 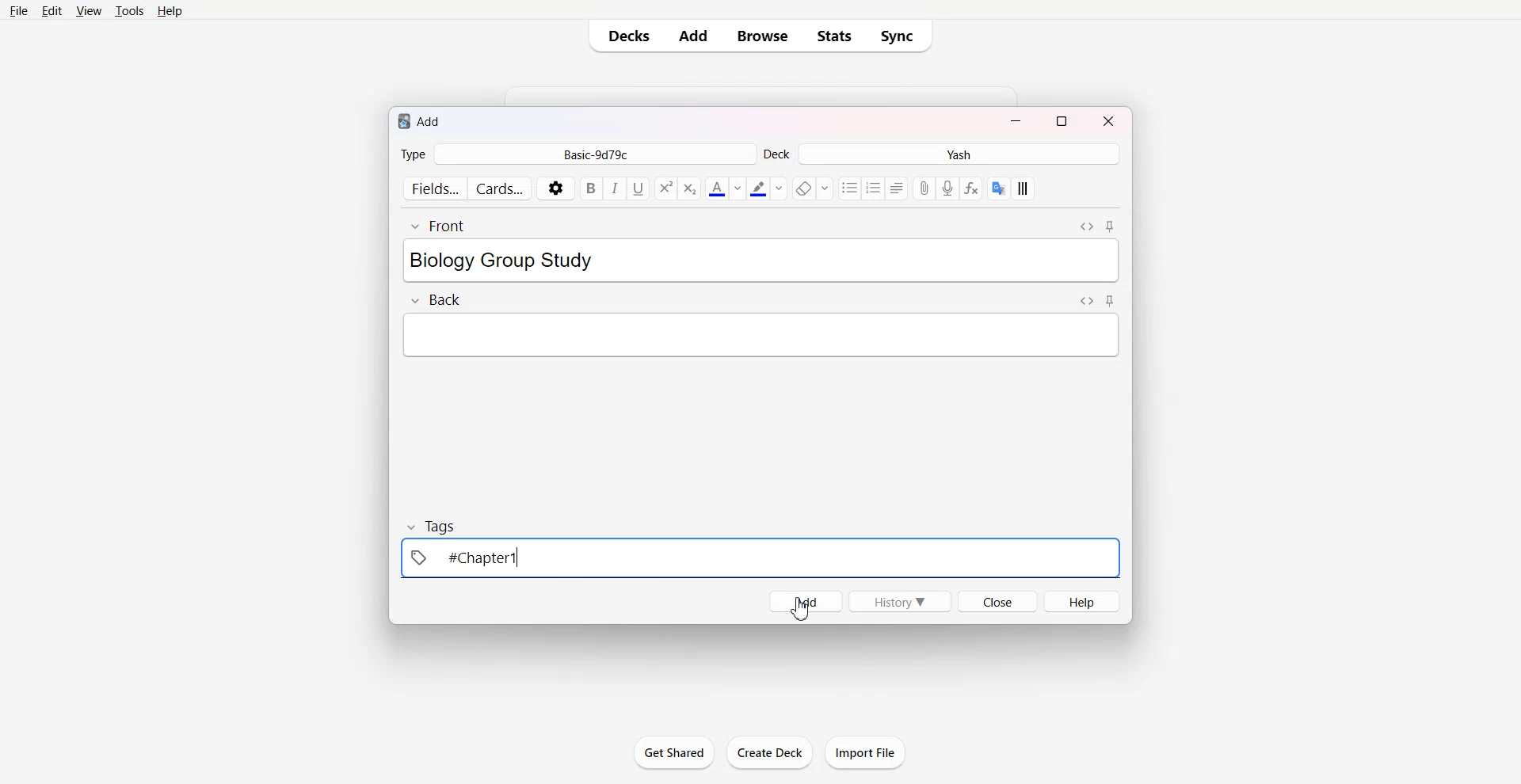 I want to click on Add, so click(x=693, y=36).